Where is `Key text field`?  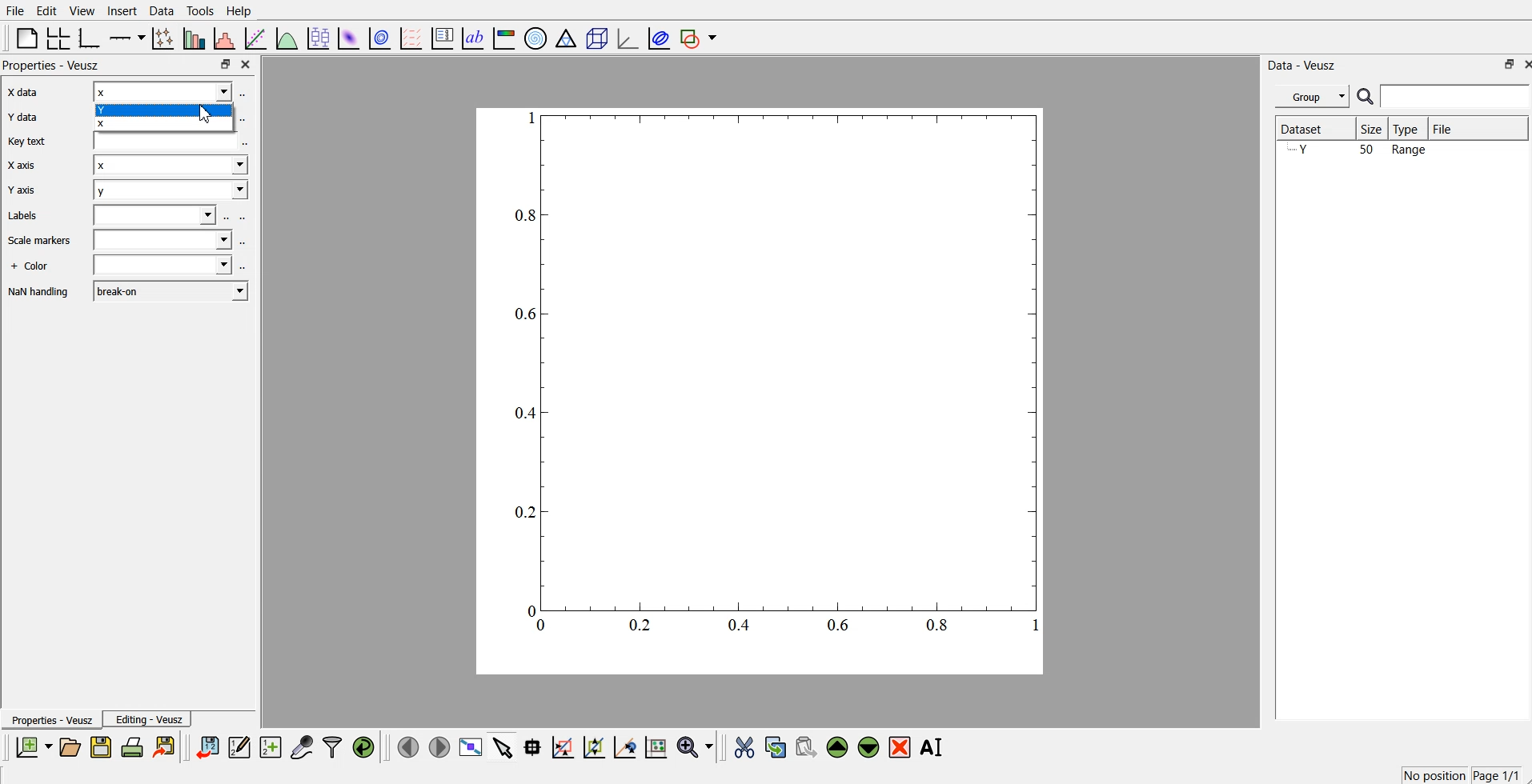
Key text field is located at coordinates (164, 142).